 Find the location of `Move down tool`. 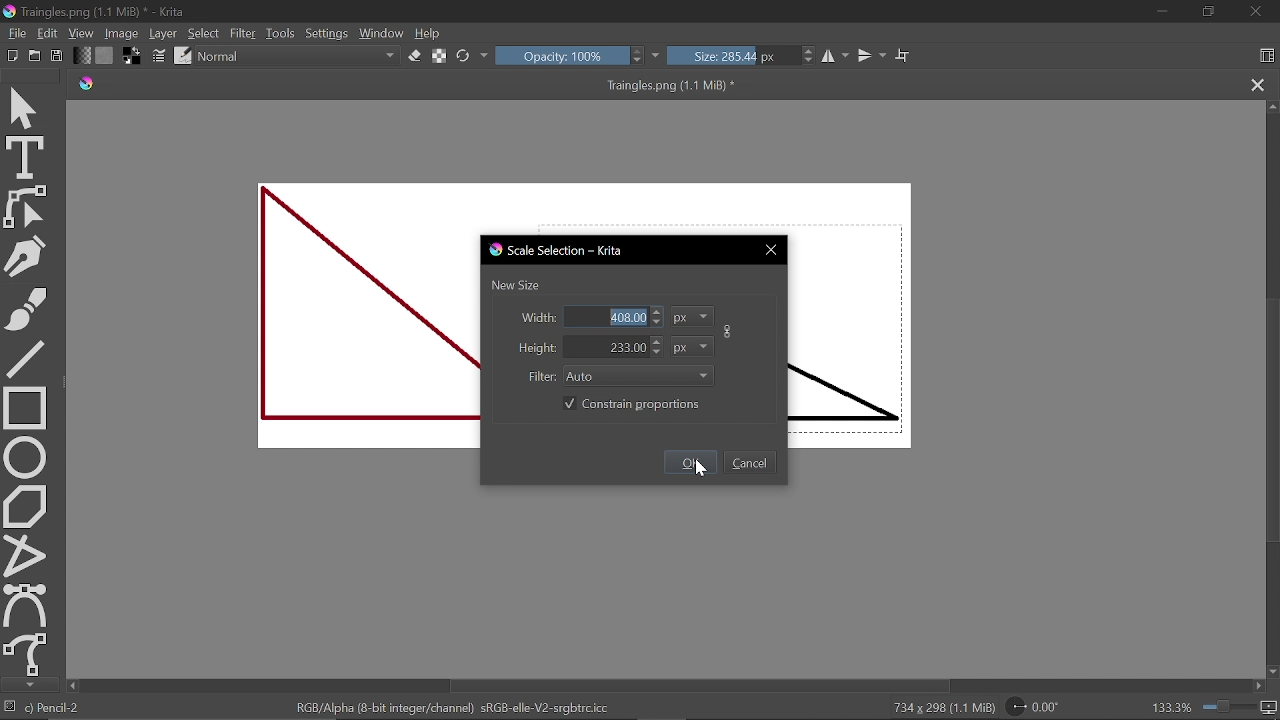

Move down tool is located at coordinates (27, 685).